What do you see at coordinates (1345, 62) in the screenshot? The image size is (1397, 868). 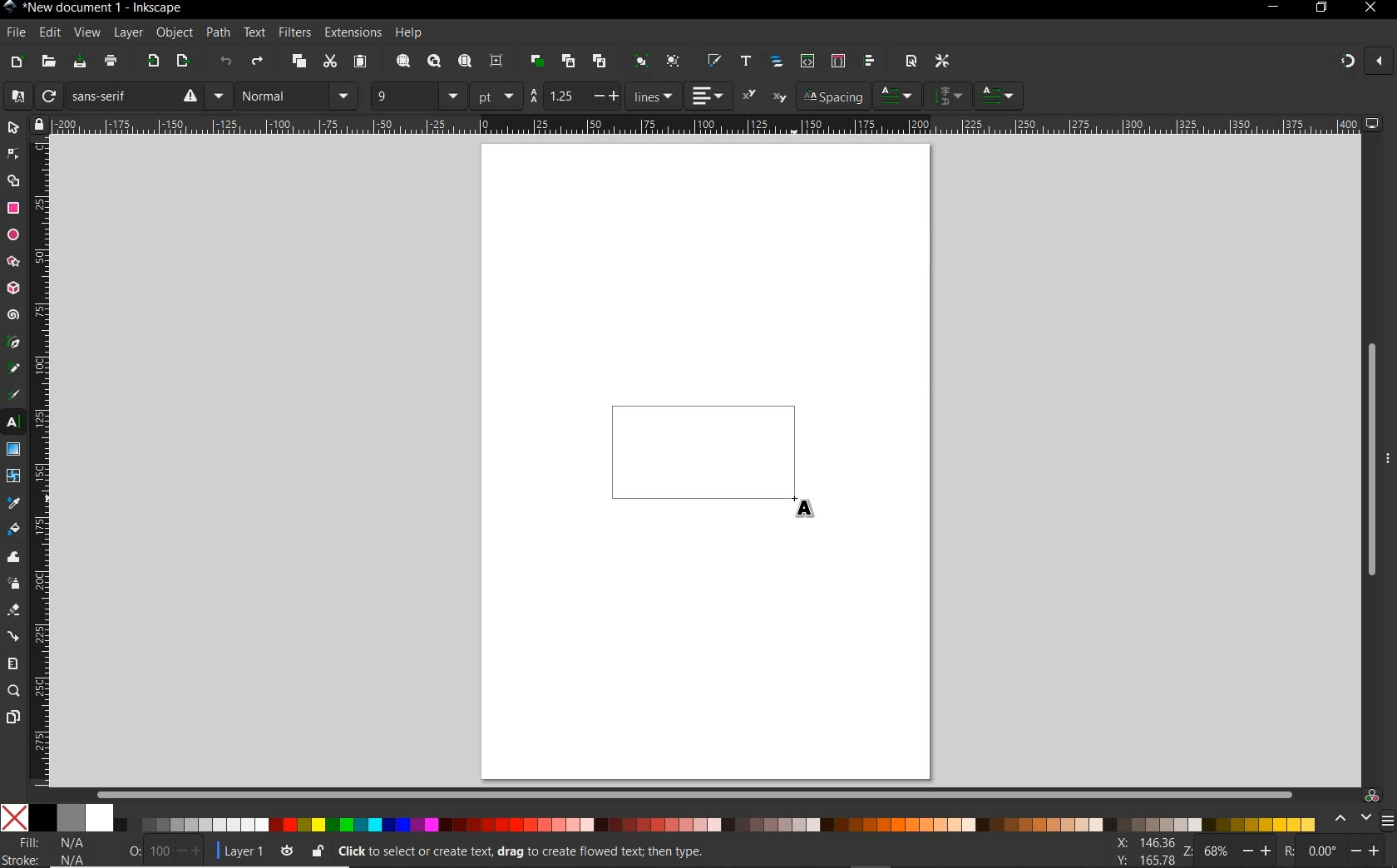 I see `snapping tool` at bounding box center [1345, 62].